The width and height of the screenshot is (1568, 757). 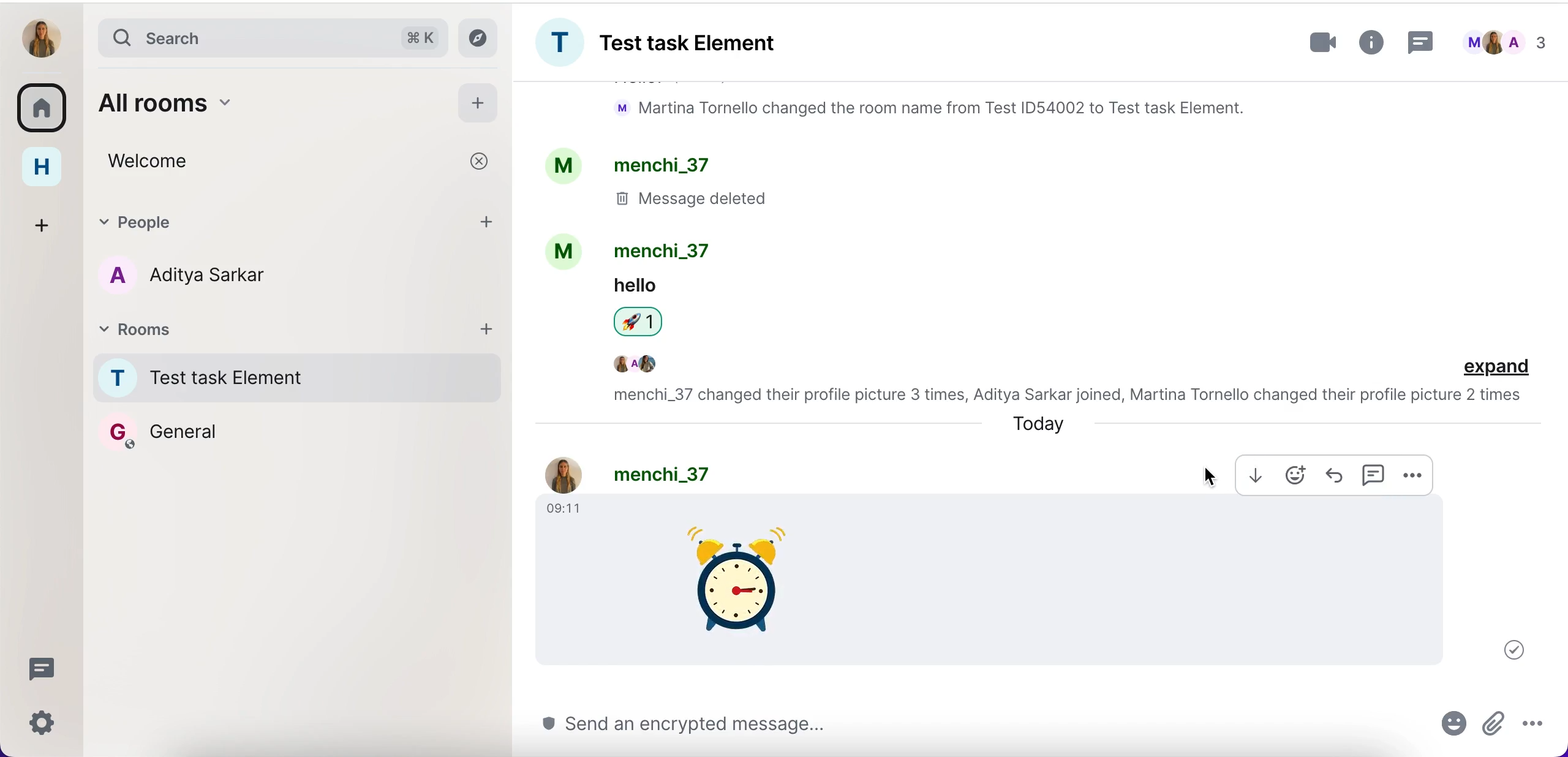 What do you see at coordinates (42, 667) in the screenshot?
I see `threads` at bounding box center [42, 667].